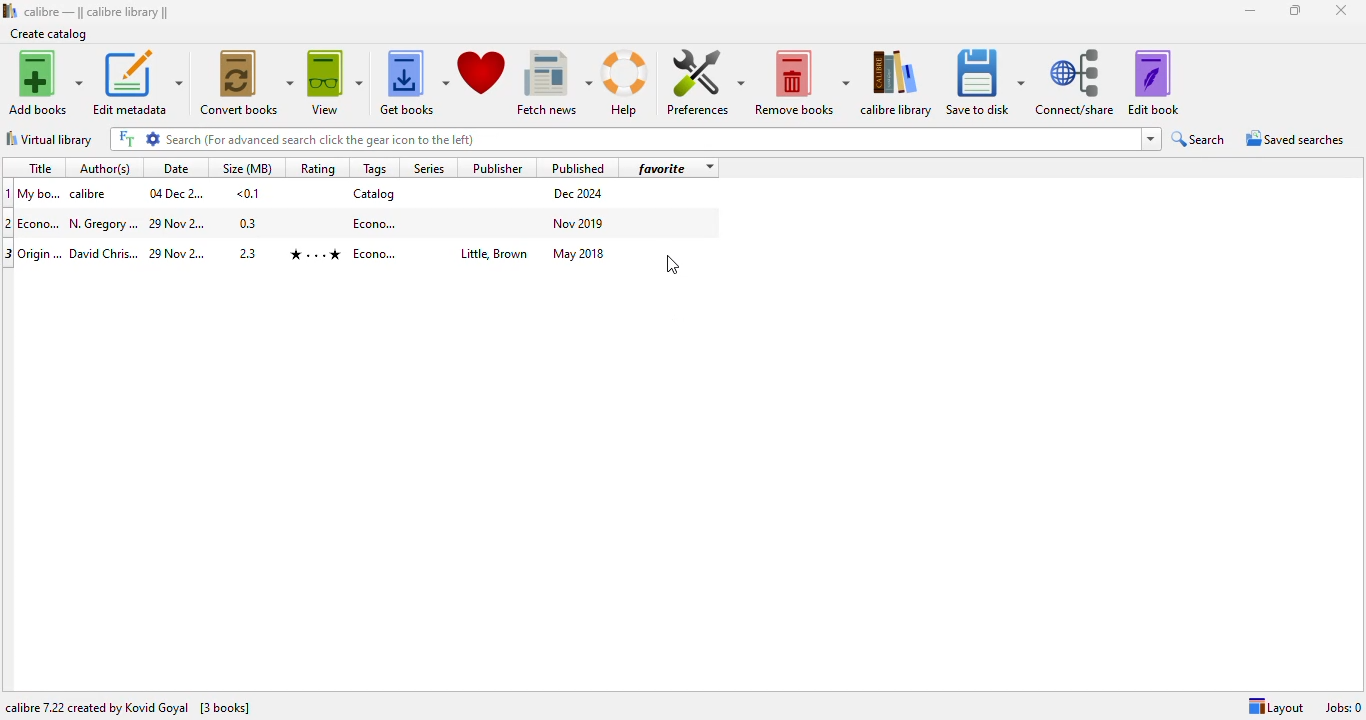 This screenshot has height=720, width=1366. What do you see at coordinates (49, 34) in the screenshot?
I see `create catalog` at bounding box center [49, 34].